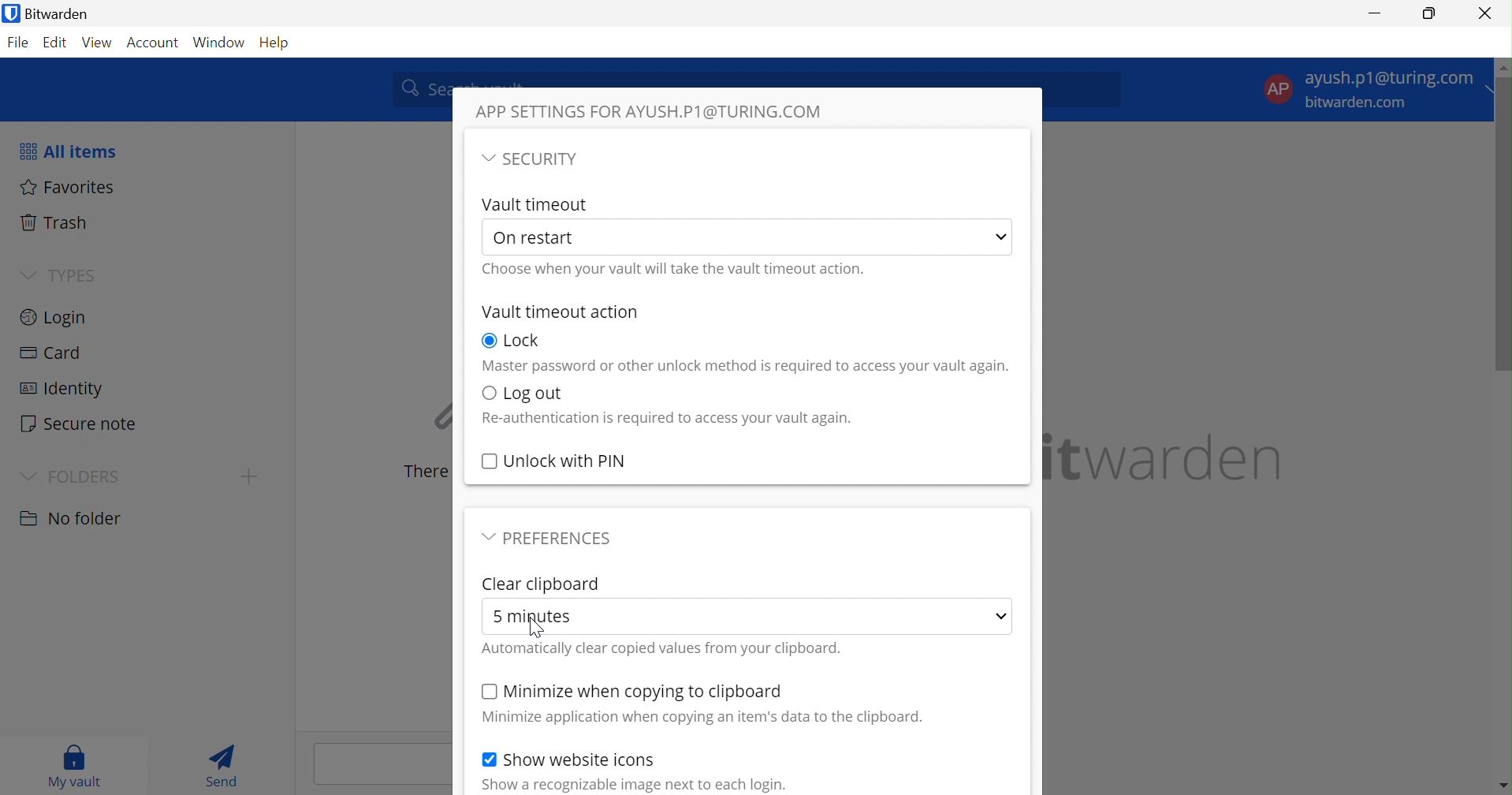 This screenshot has height=795, width=1512. Describe the element at coordinates (487, 691) in the screenshot. I see `Checkbox` at that location.